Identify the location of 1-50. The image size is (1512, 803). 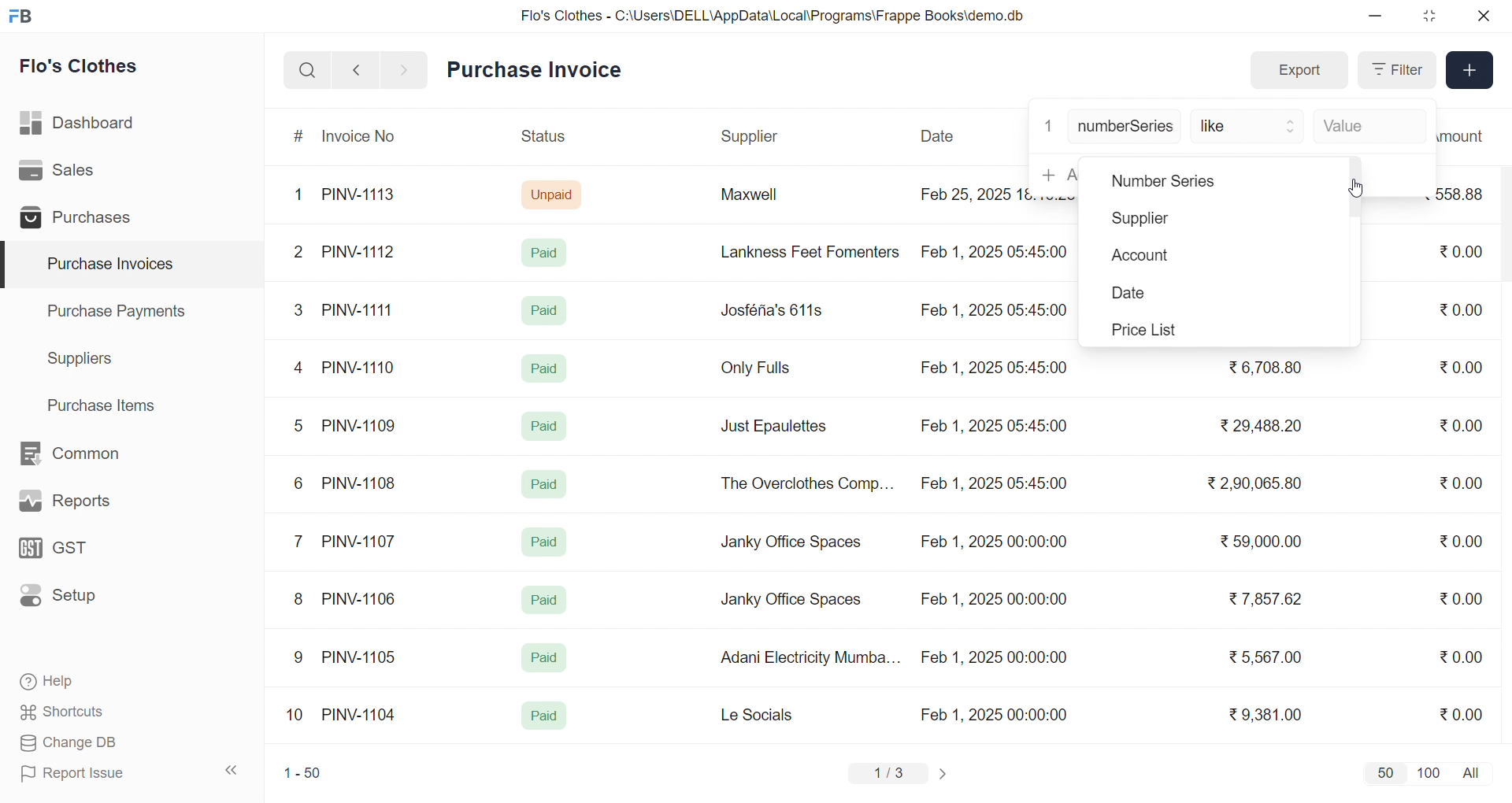
(302, 775).